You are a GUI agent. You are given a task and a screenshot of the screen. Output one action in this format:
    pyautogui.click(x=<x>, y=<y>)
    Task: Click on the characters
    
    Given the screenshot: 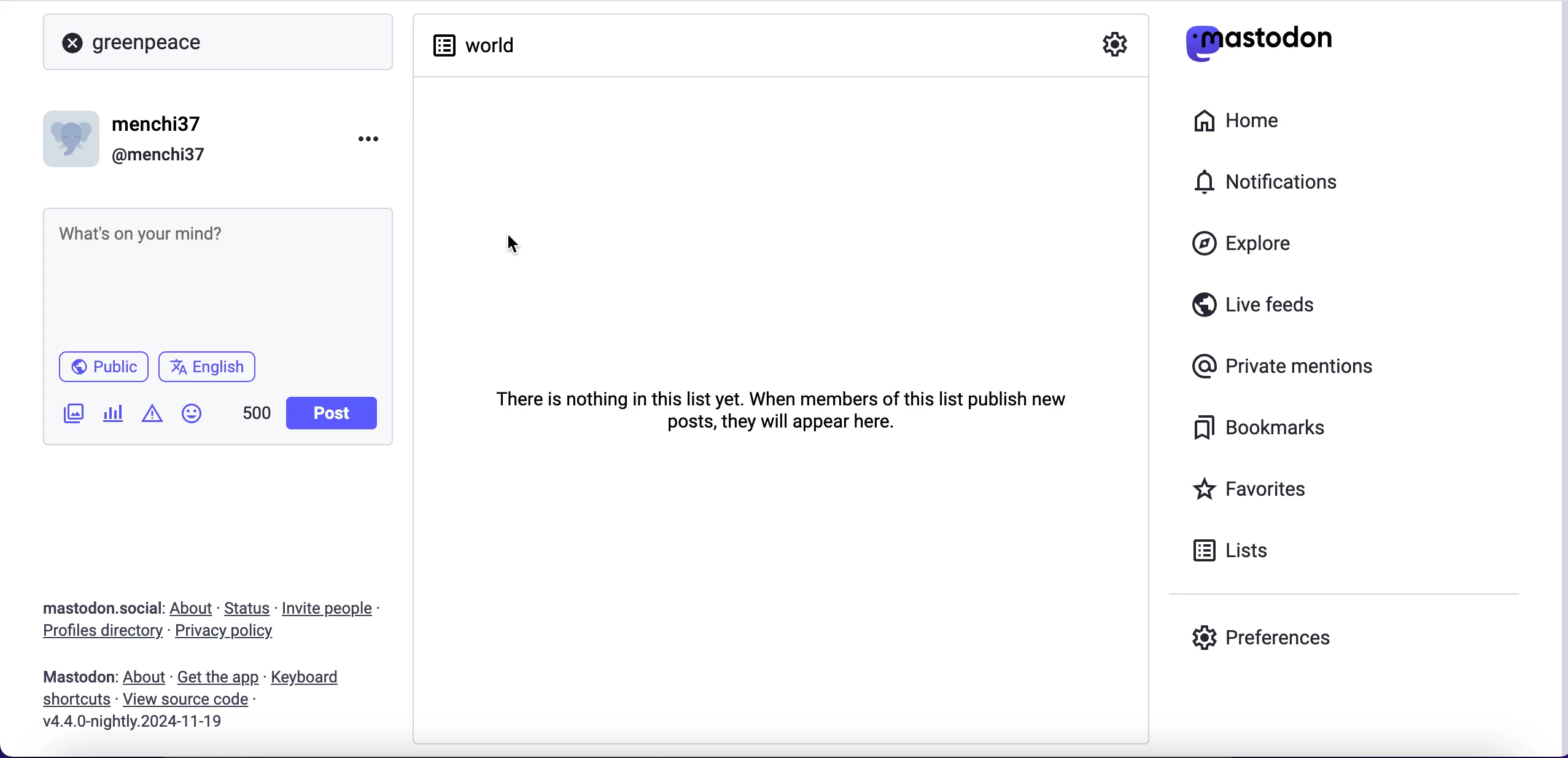 What is the action you would take?
    pyautogui.click(x=257, y=415)
    